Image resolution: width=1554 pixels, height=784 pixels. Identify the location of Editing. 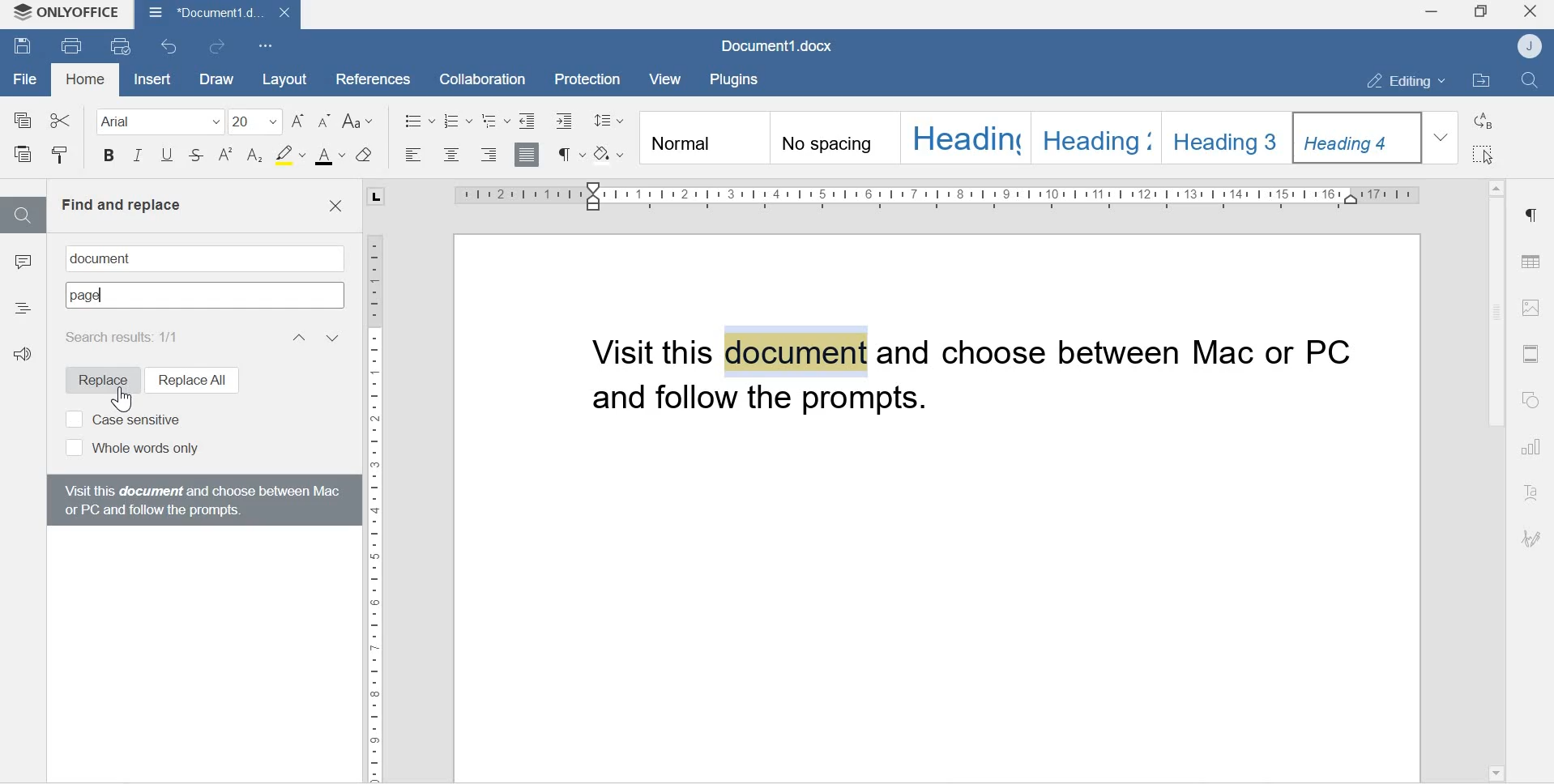
(1398, 80).